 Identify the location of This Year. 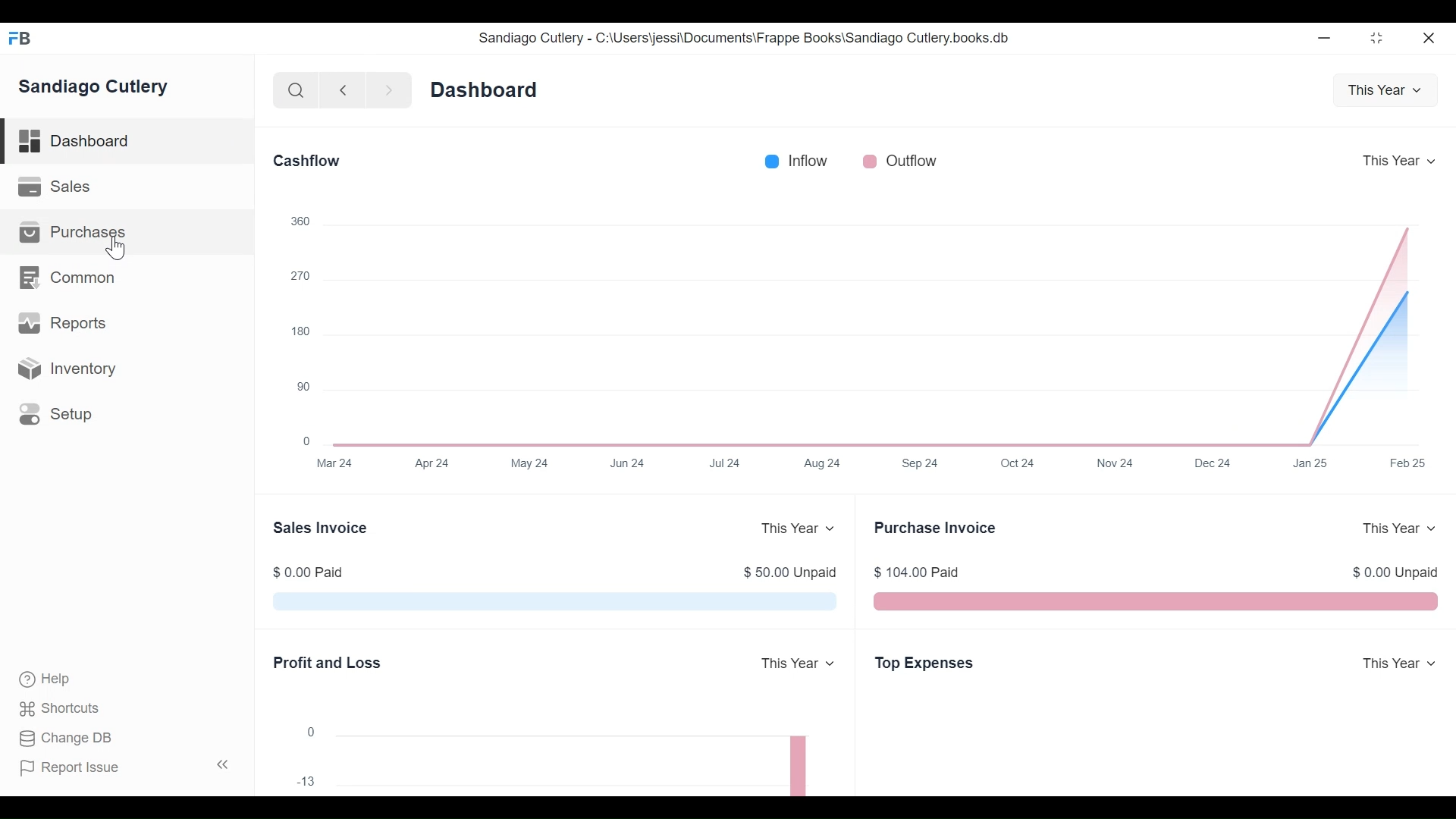
(799, 665).